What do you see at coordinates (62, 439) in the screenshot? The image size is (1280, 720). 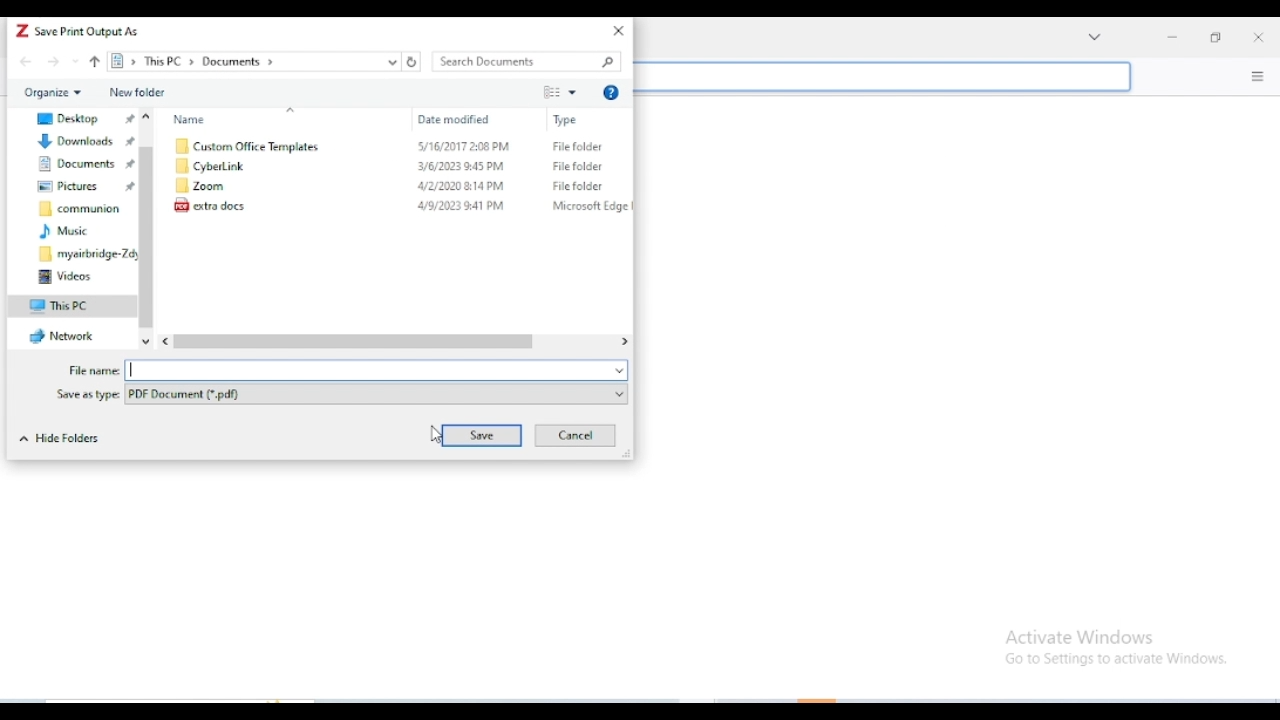 I see `hide folders` at bounding box center [62, 439].